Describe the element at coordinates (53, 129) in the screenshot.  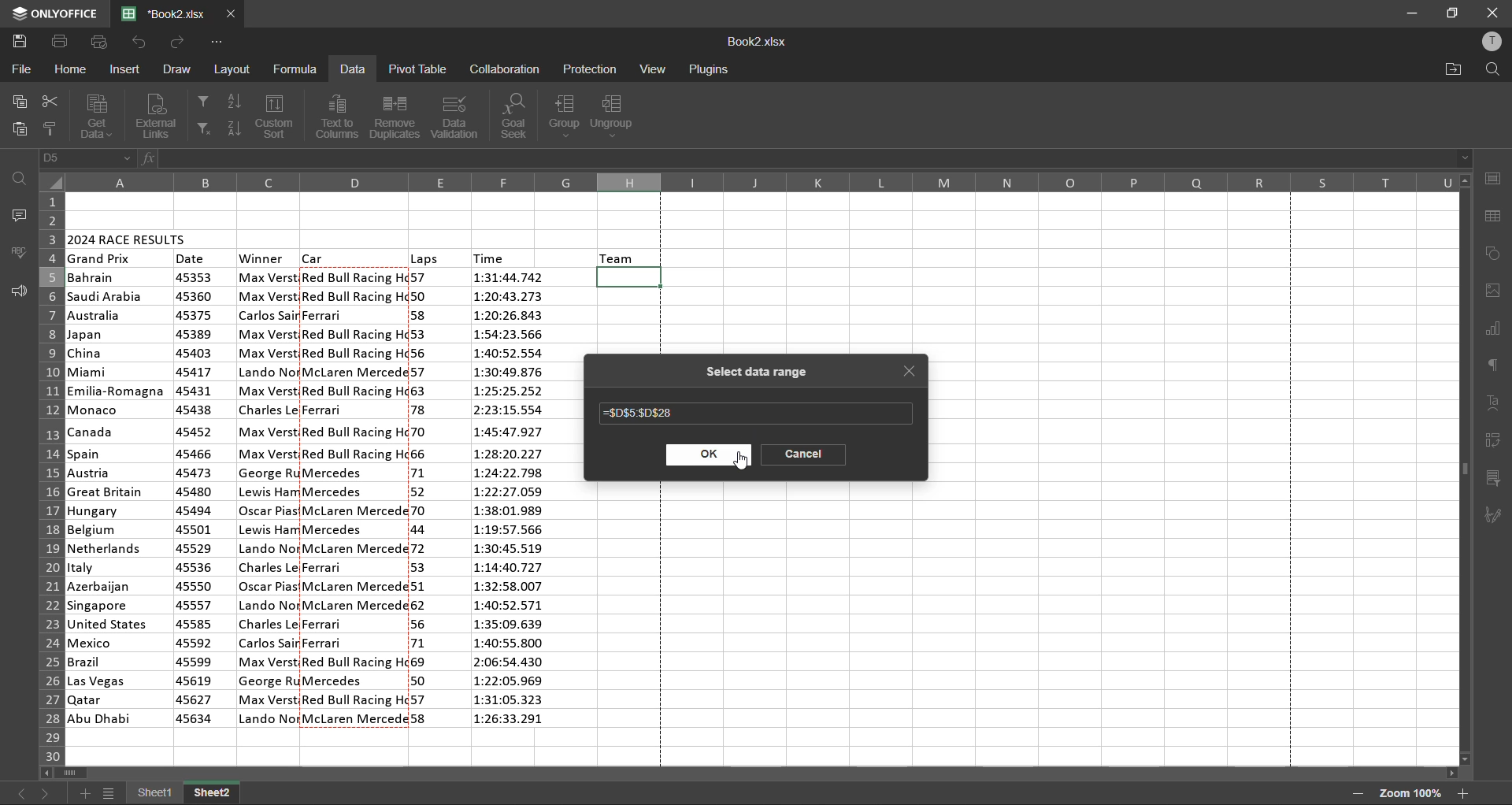
I see `copy style` at that location.